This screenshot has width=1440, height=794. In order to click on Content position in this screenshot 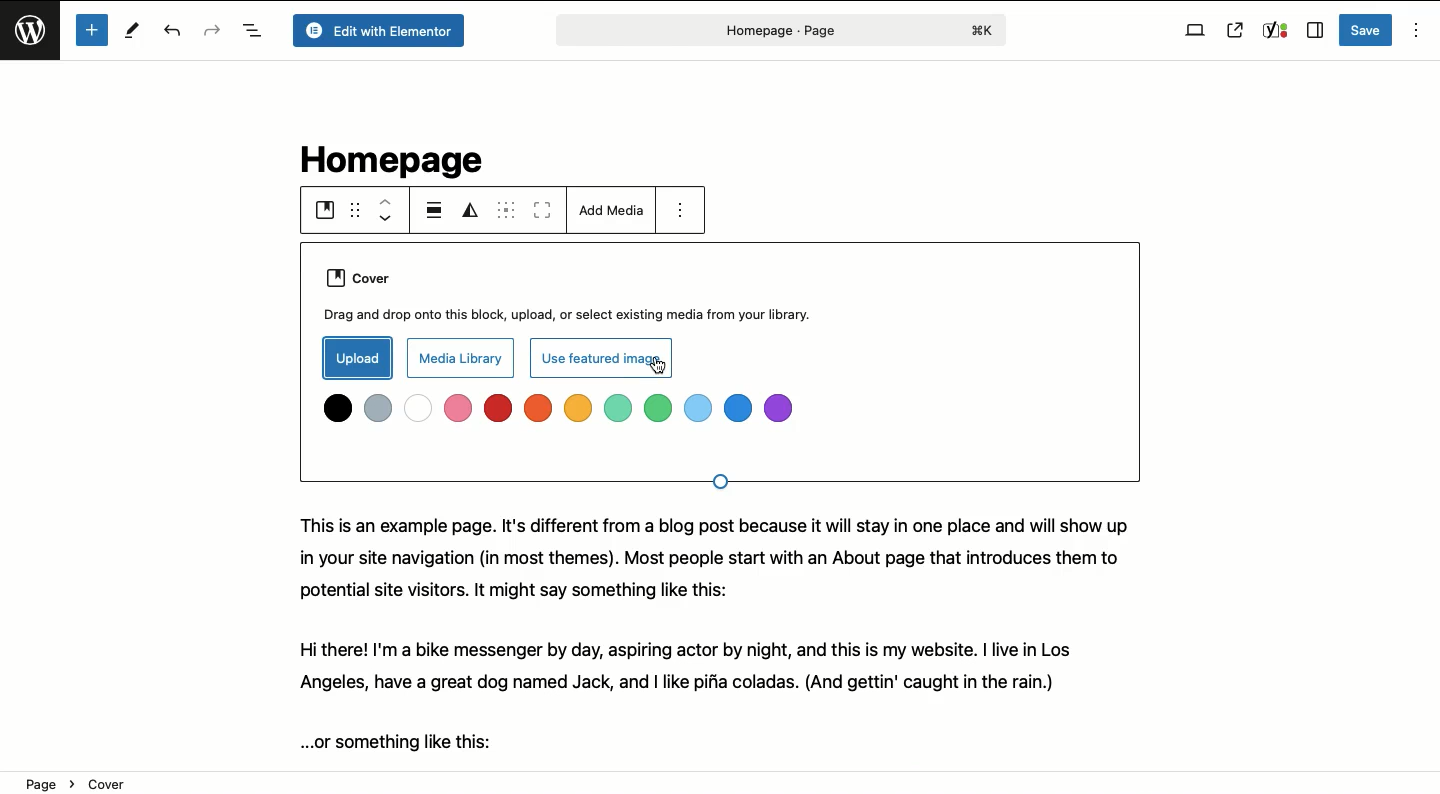, I will do `click(506, 210)`.